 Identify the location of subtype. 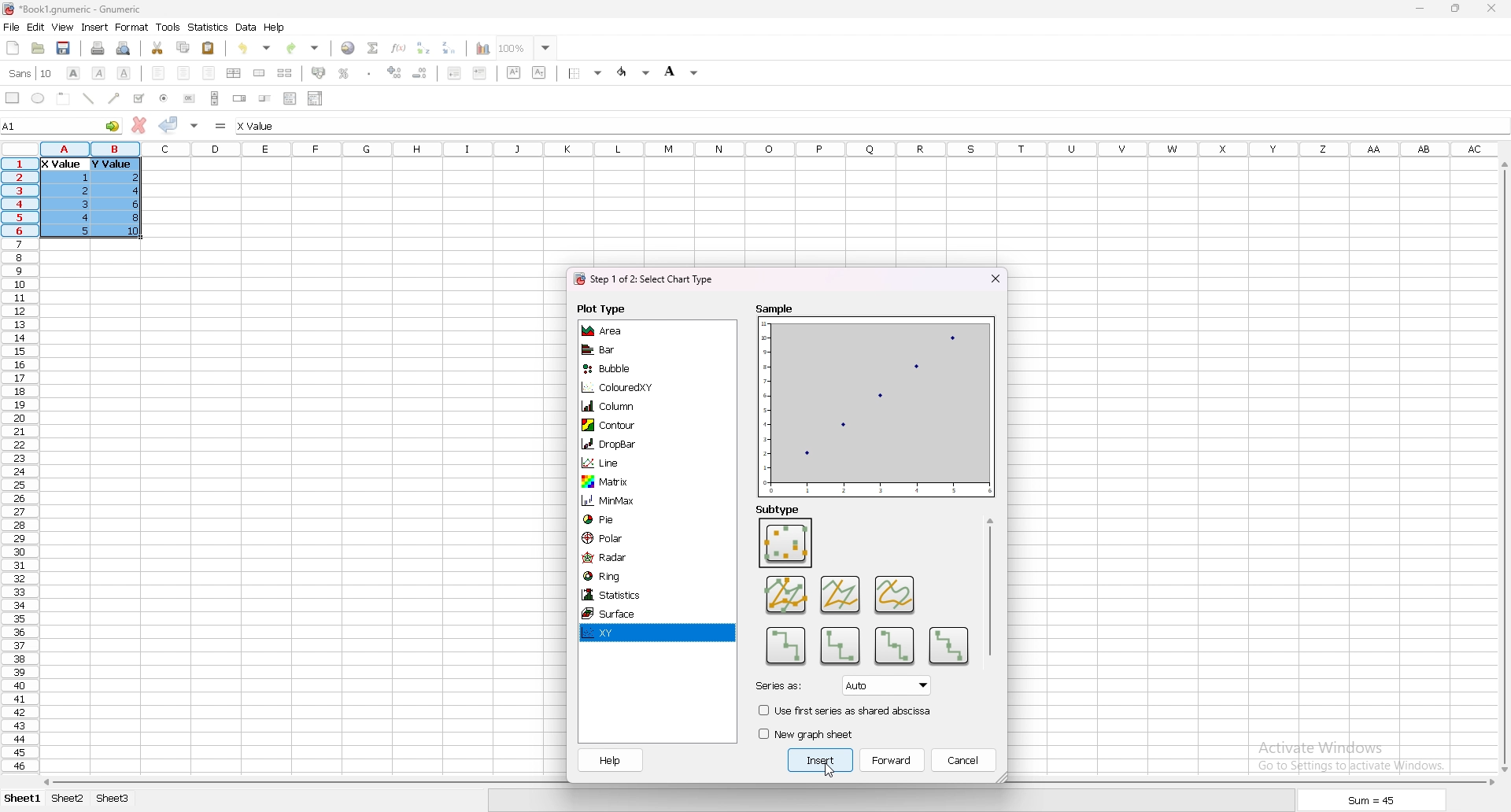
(787, 593).